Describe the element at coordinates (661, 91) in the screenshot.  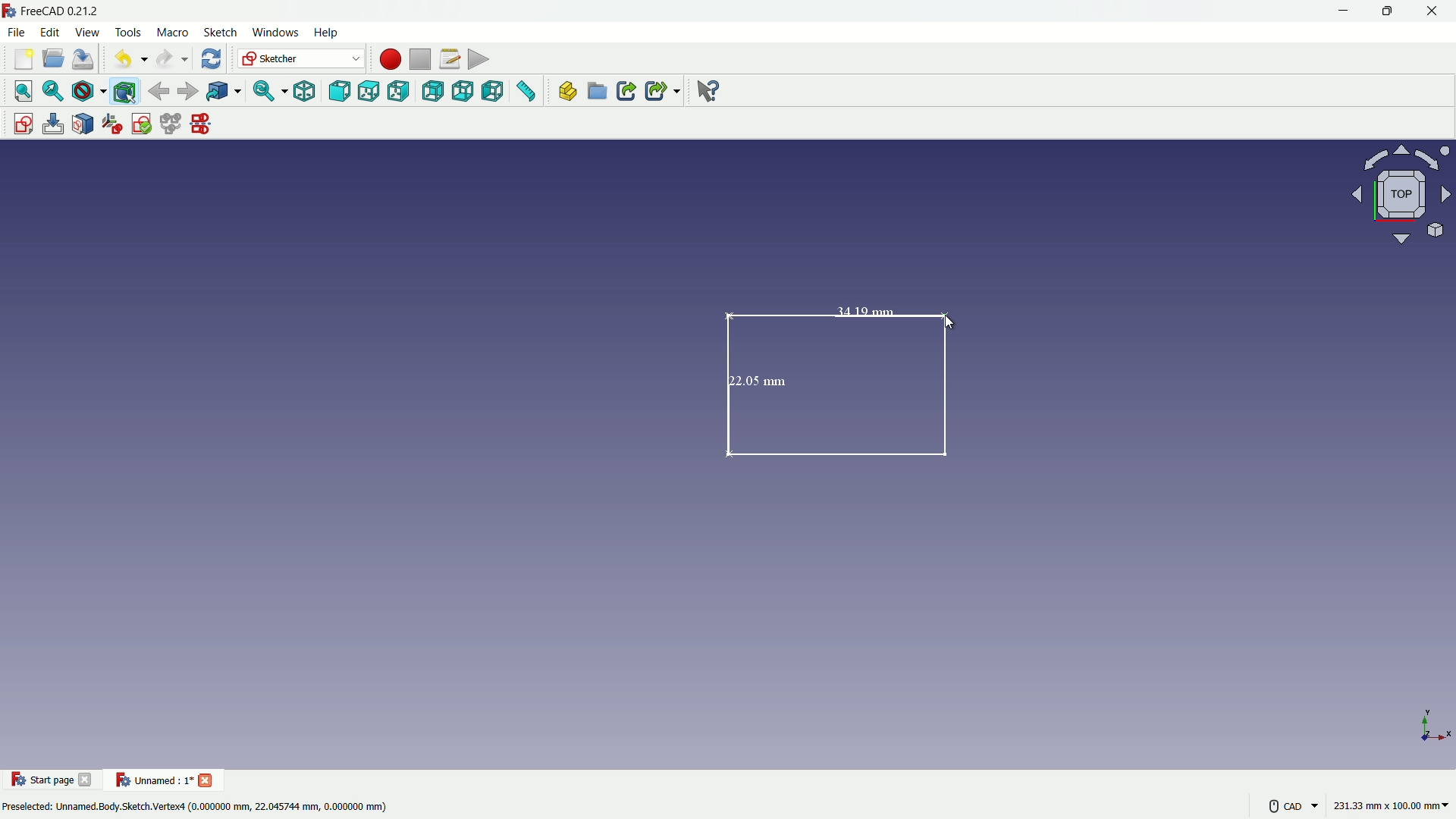
I see `make sub link` at that location.